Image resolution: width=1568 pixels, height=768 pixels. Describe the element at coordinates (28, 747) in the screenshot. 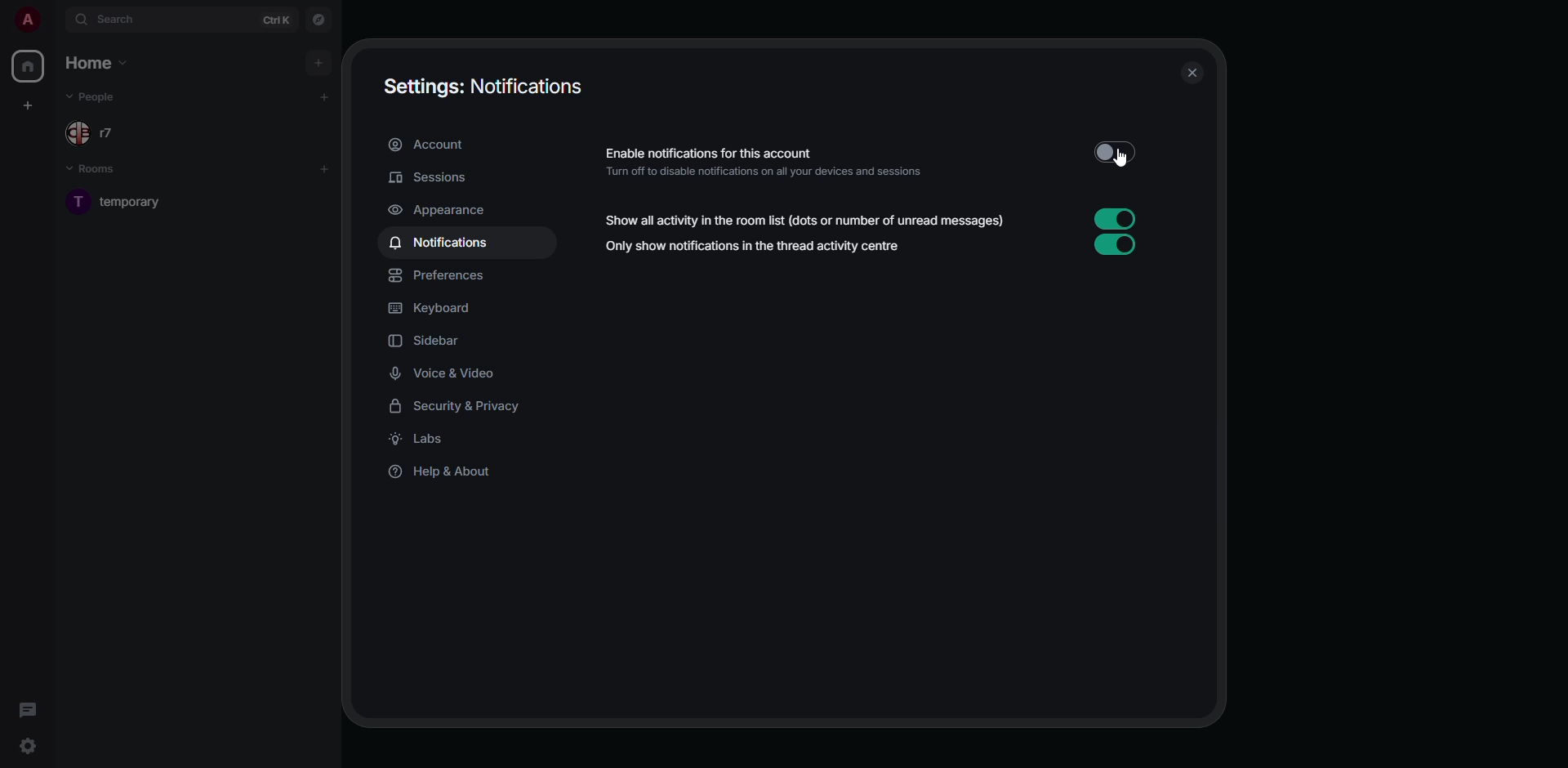

I see `quick settings` at that location.